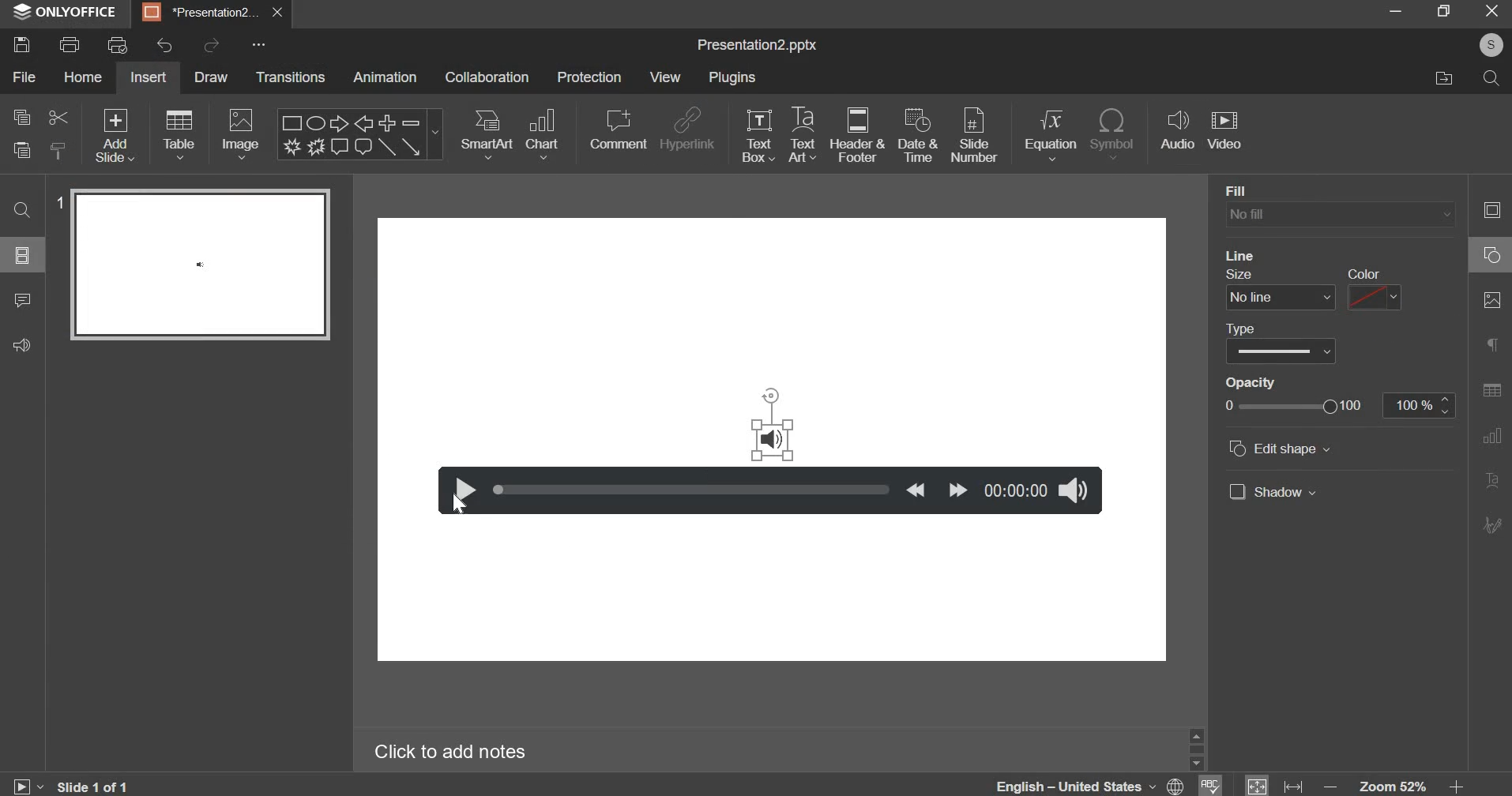 Image resolution: width=1512 pixels, height=796 pixels. I want to click on size, so click(1239, 274).